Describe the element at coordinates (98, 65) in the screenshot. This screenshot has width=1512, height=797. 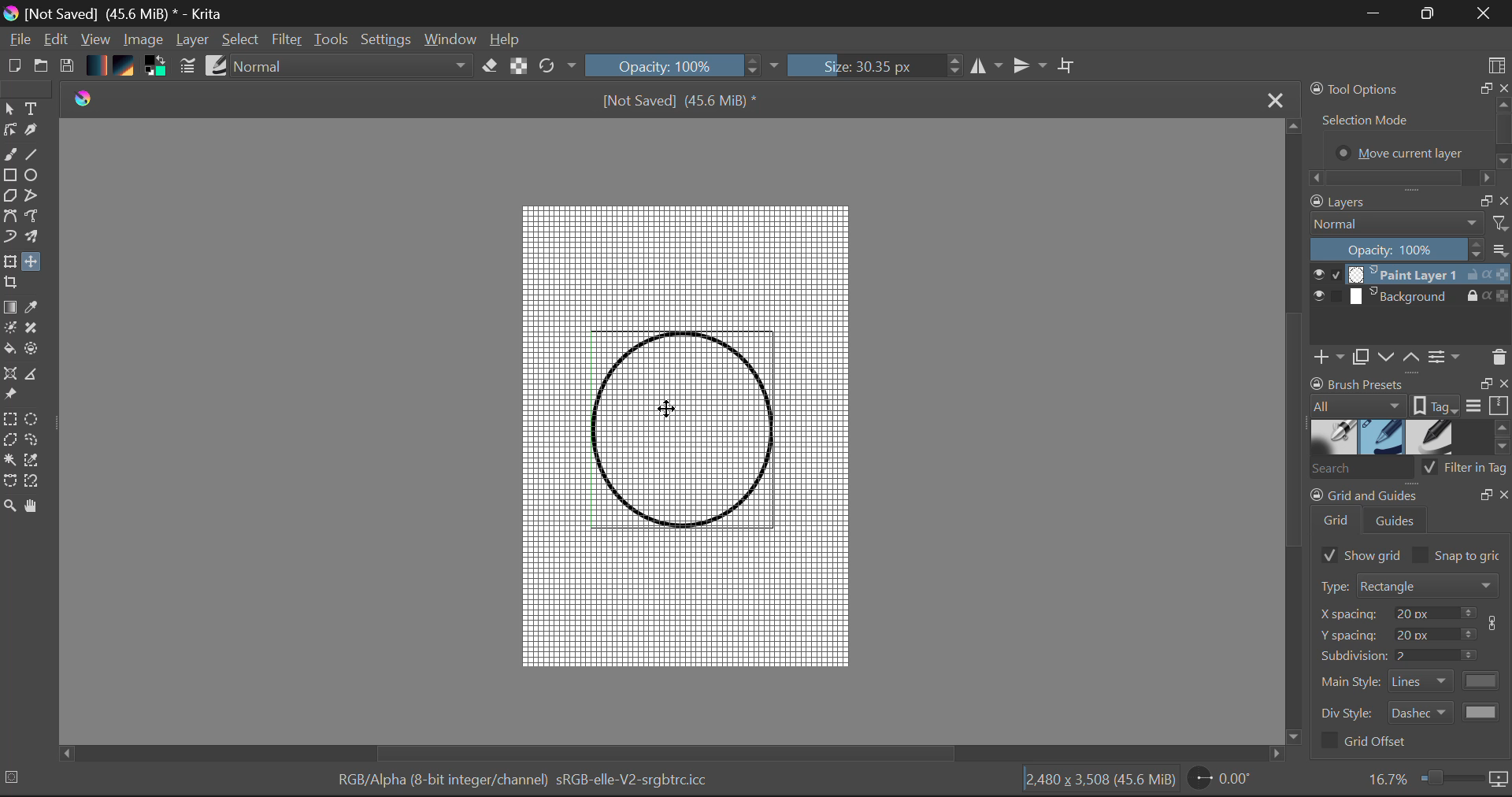
I see `Gradient` at that location.